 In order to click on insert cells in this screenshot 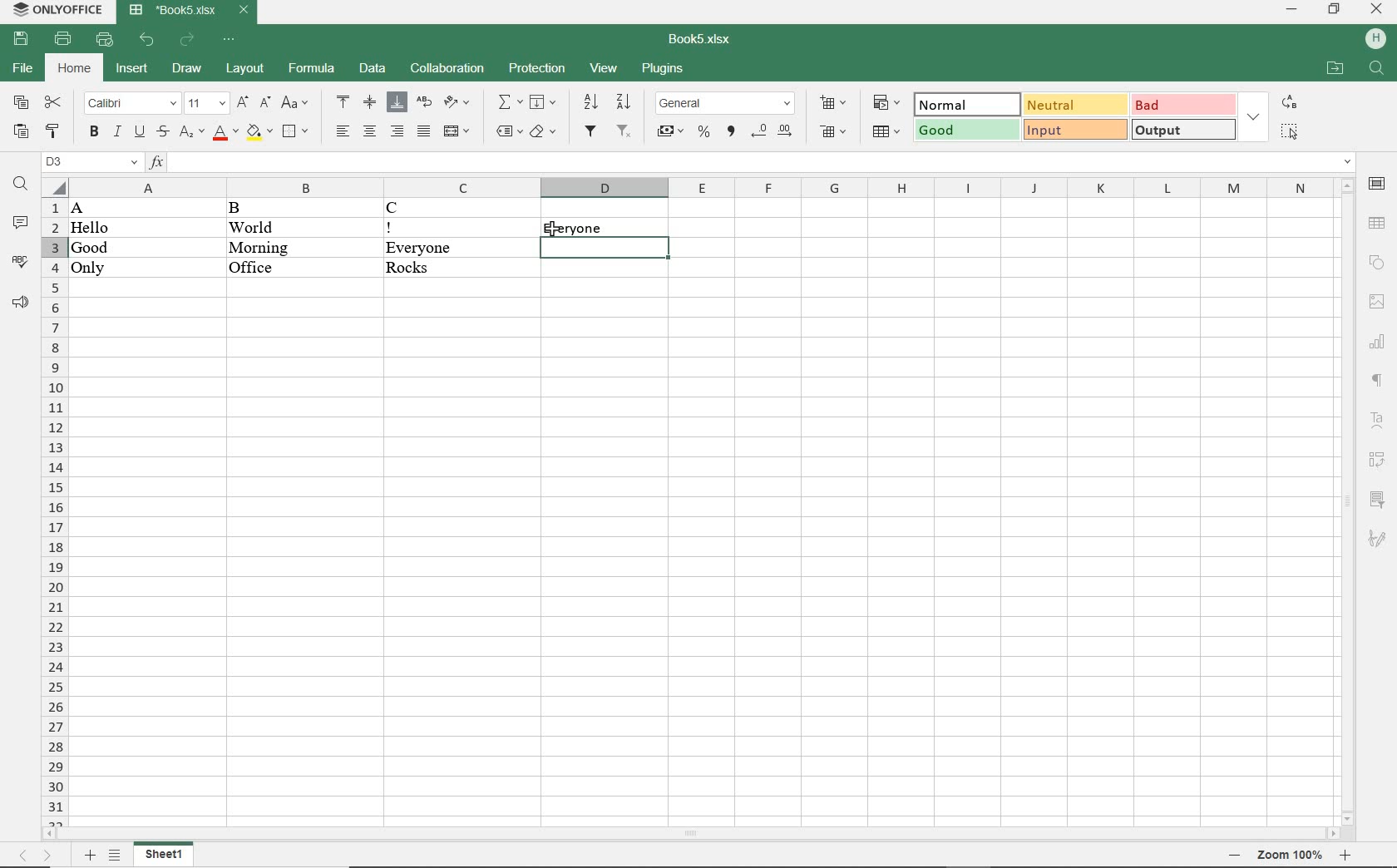, I will do `click(833, 104)`.